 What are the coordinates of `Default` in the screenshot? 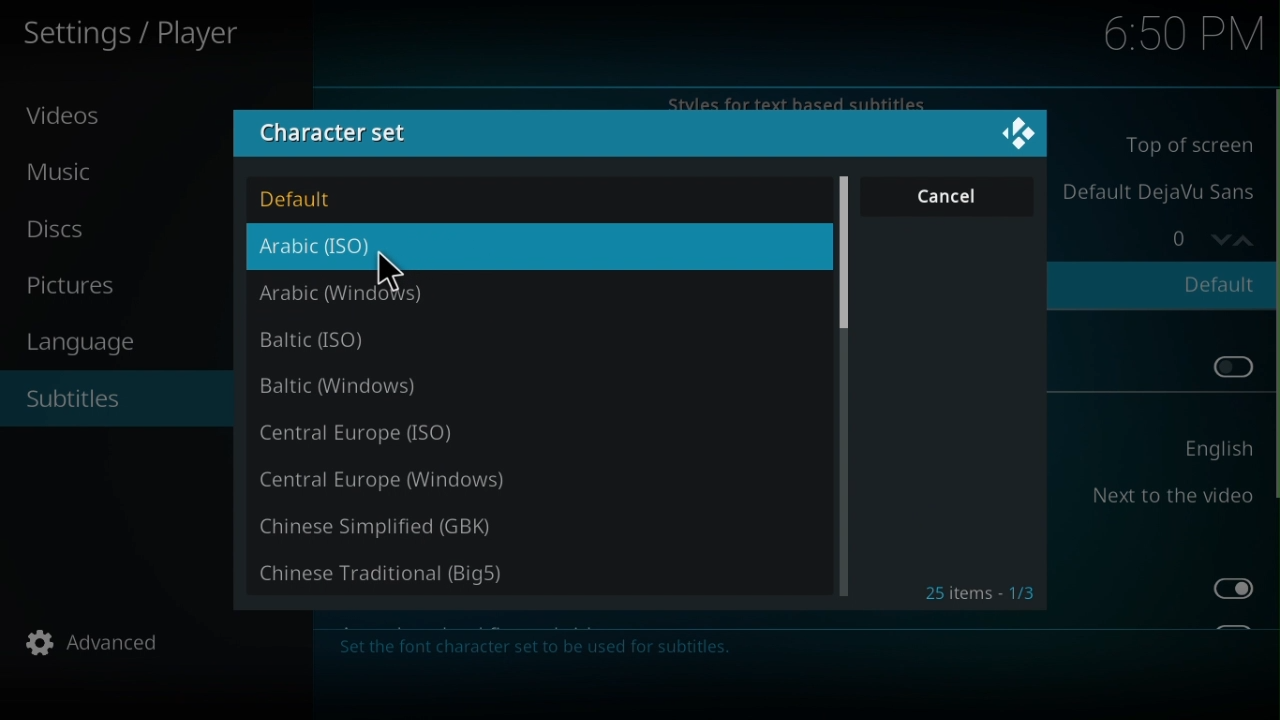 It's located at (316, 197).